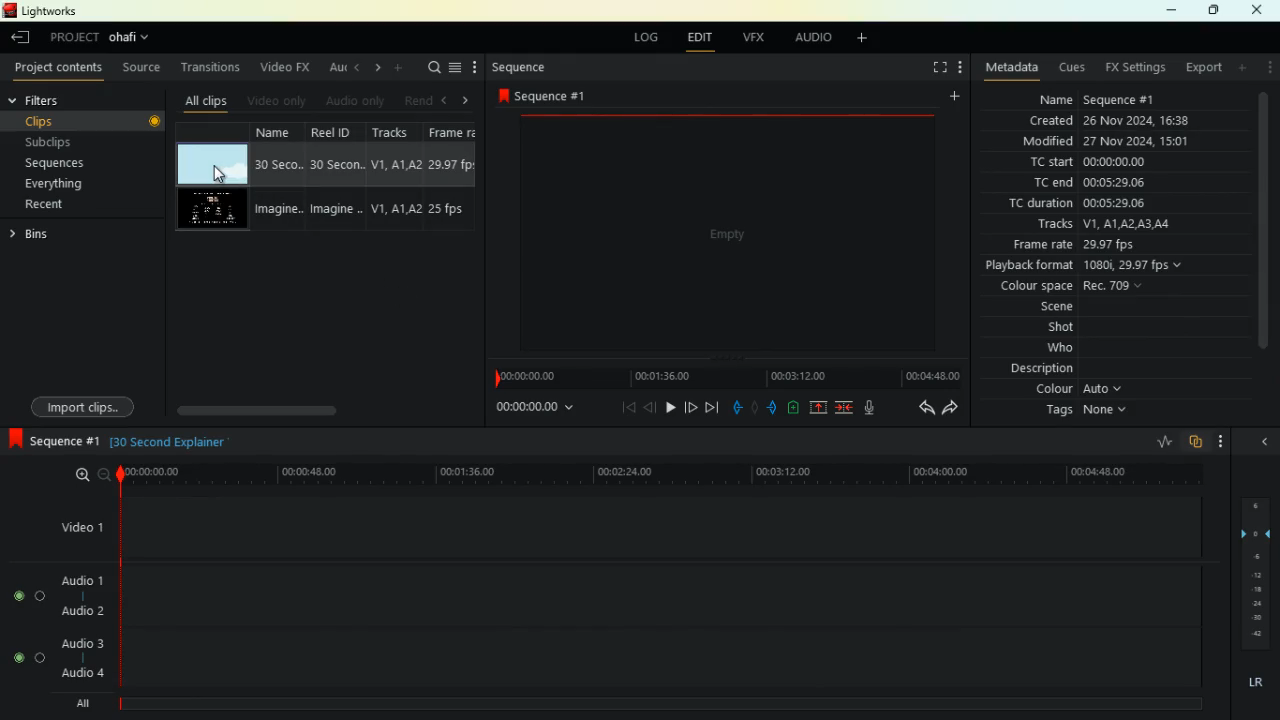 This screenshot has height=720, width=1280. Describe the element at coordinates (156, 121) in the screenshot. I see `Record` at that location.